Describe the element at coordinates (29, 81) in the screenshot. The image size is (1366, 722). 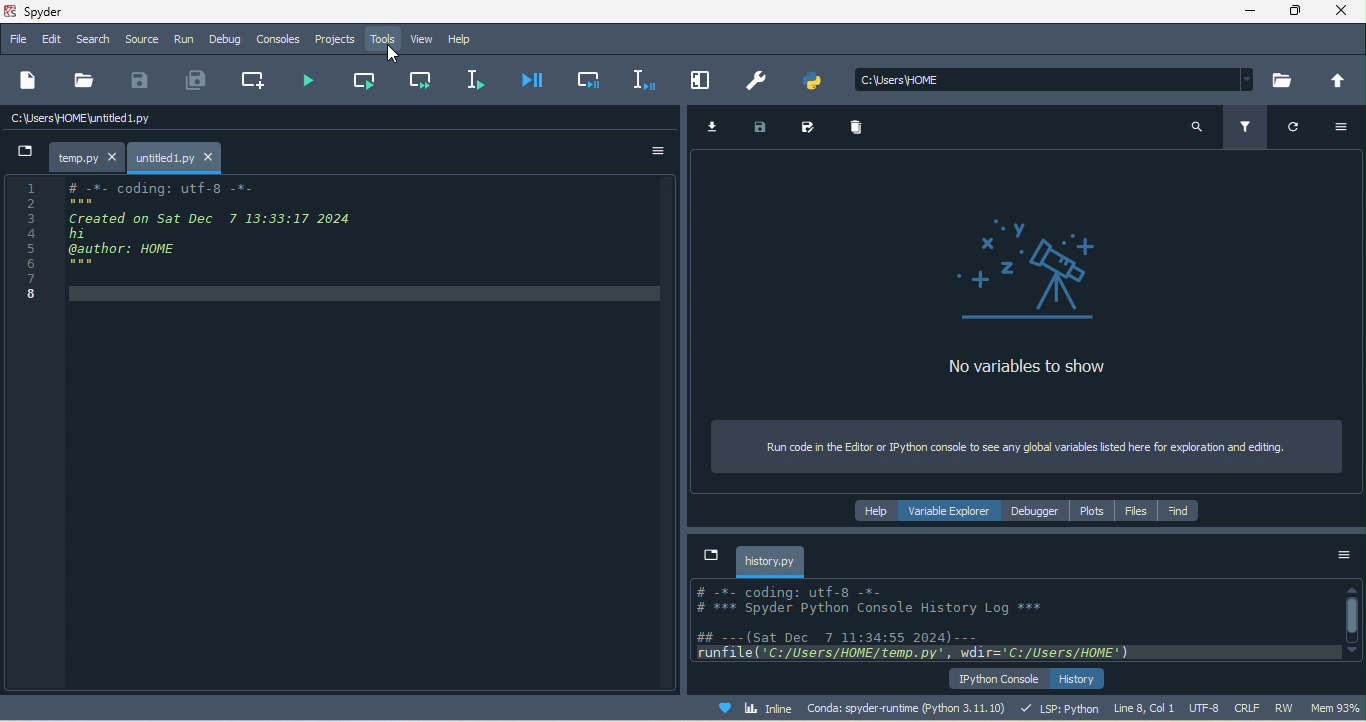
I see `new` at that location.